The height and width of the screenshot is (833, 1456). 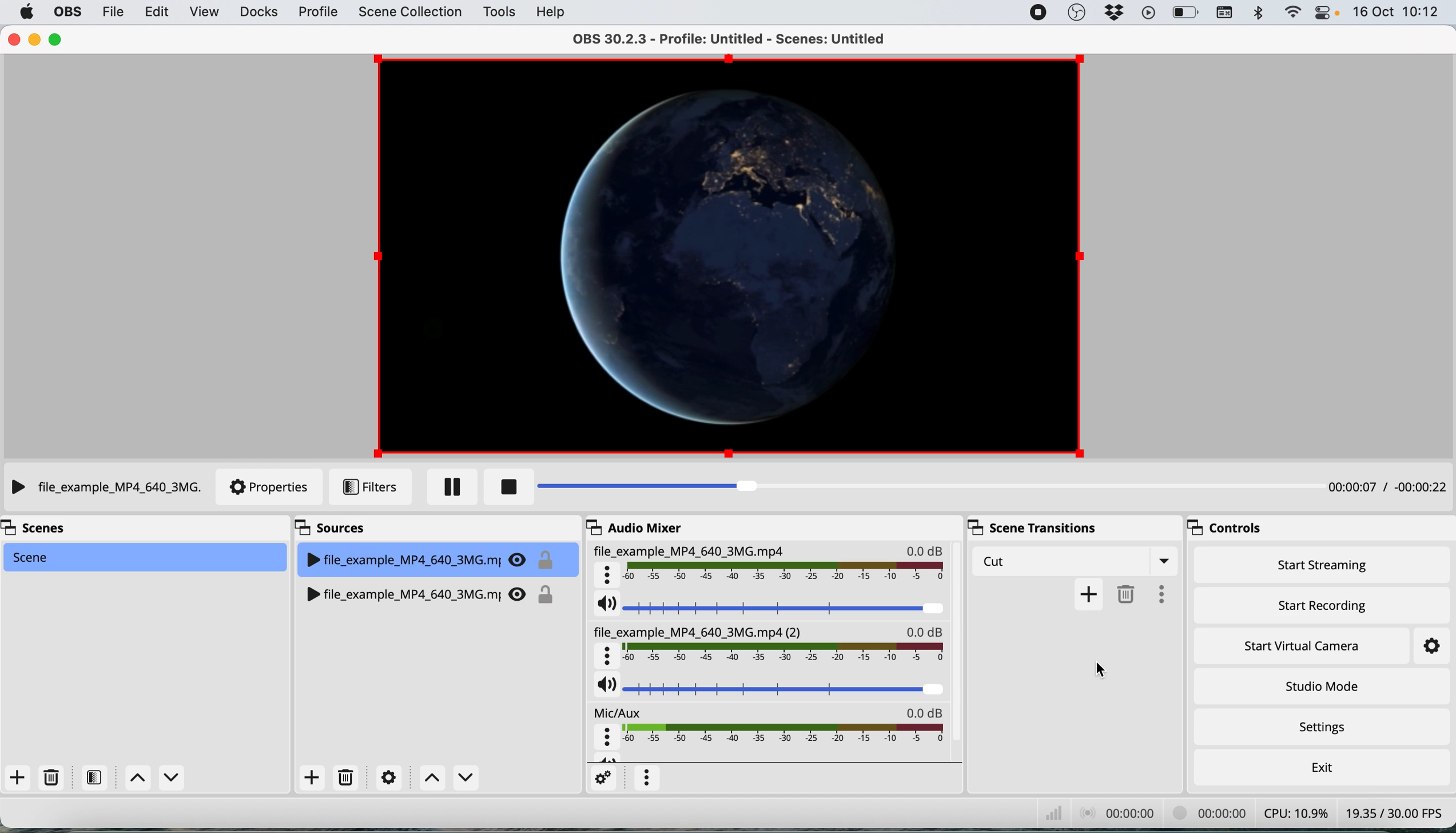 I want to click on settings, so click(x=385, y=778).